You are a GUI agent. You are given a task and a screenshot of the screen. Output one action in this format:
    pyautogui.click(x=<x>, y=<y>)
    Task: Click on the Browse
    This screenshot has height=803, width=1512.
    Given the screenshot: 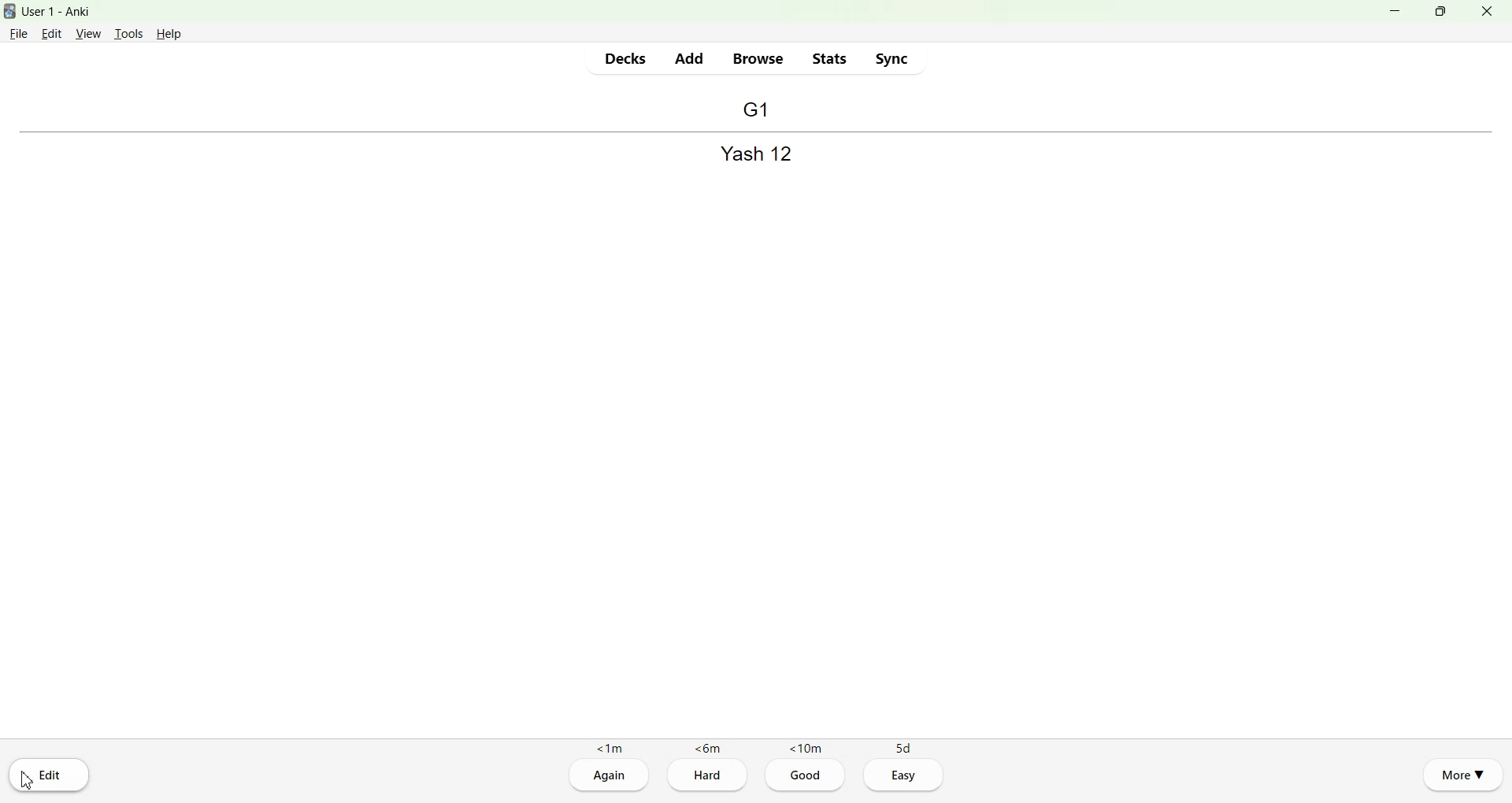 What is the action you would take?
    pyautogui.click(x=759, y=59)
    